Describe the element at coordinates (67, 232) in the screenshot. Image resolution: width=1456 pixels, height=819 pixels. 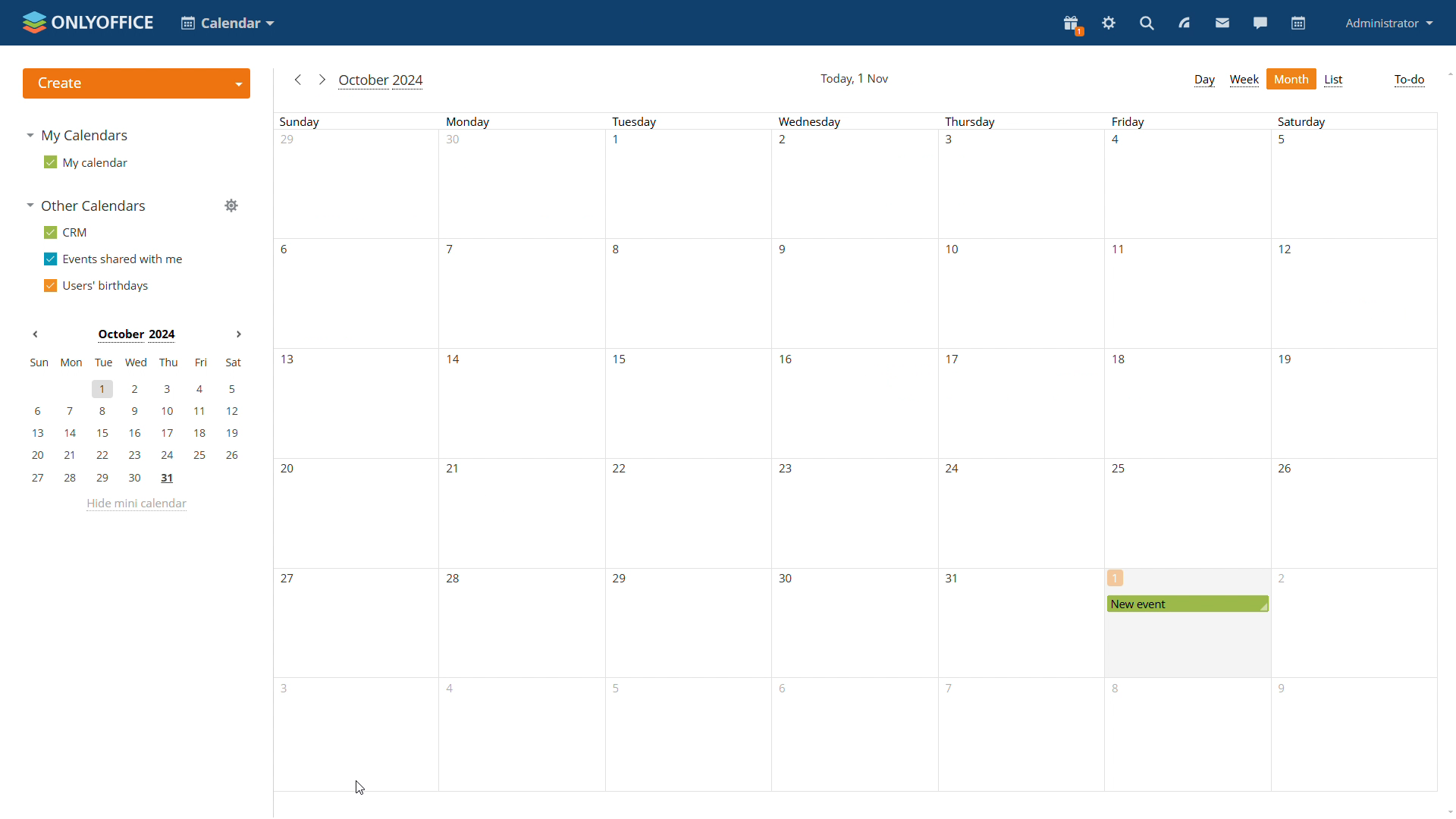
I see `crm` at that location.